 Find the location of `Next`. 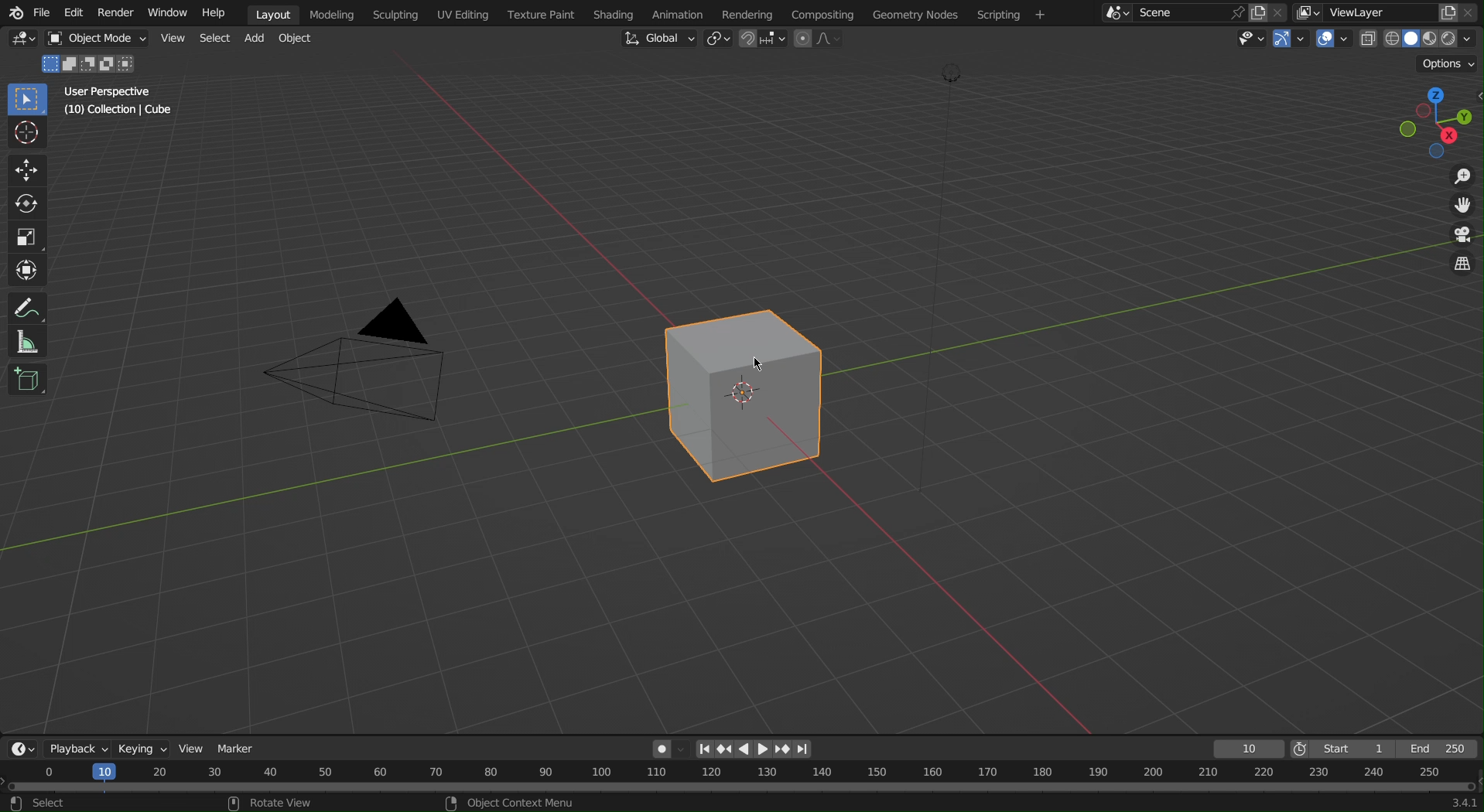

Next is located at coordinates (783, 749).